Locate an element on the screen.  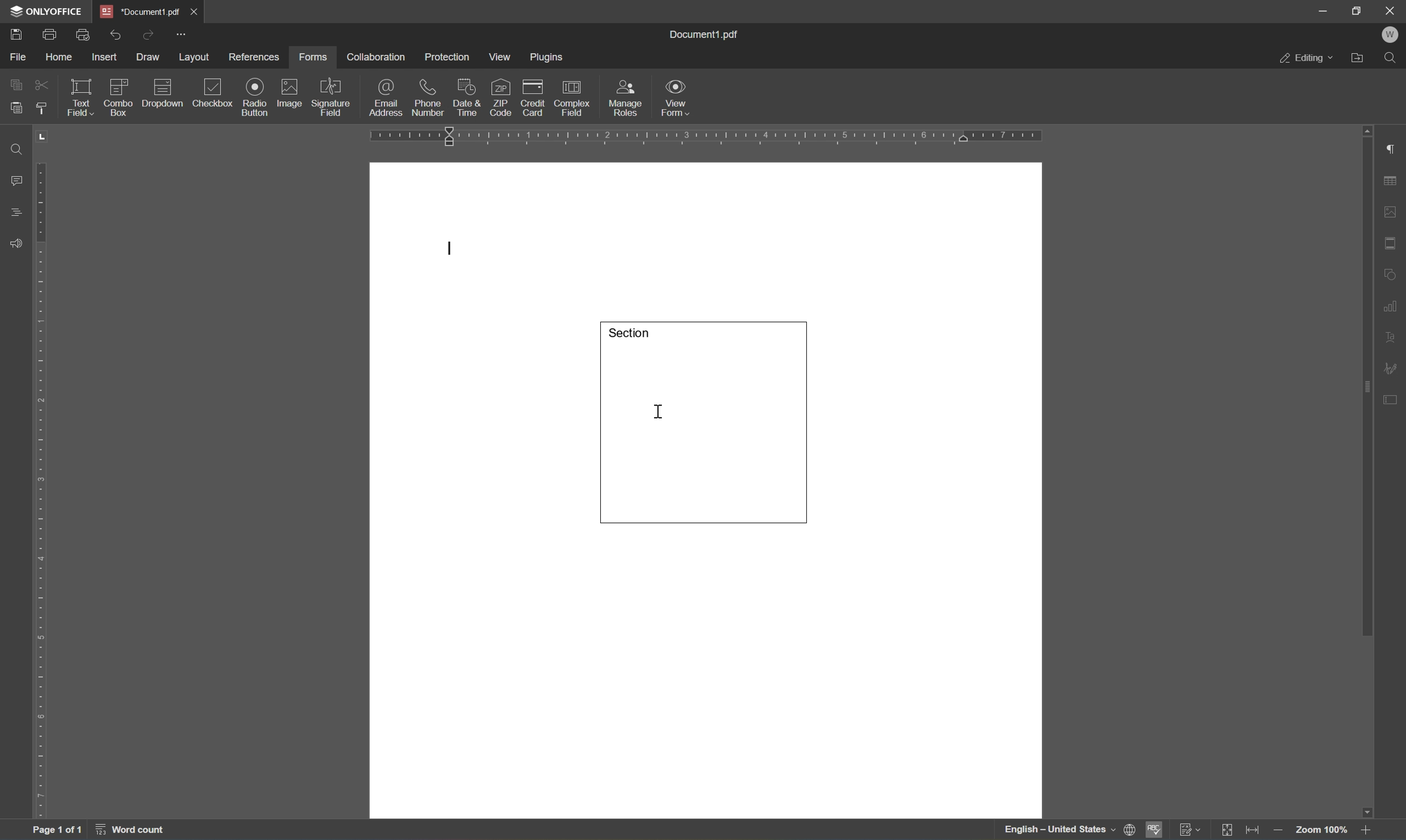
set document language is located at coordinates (1066, 830).